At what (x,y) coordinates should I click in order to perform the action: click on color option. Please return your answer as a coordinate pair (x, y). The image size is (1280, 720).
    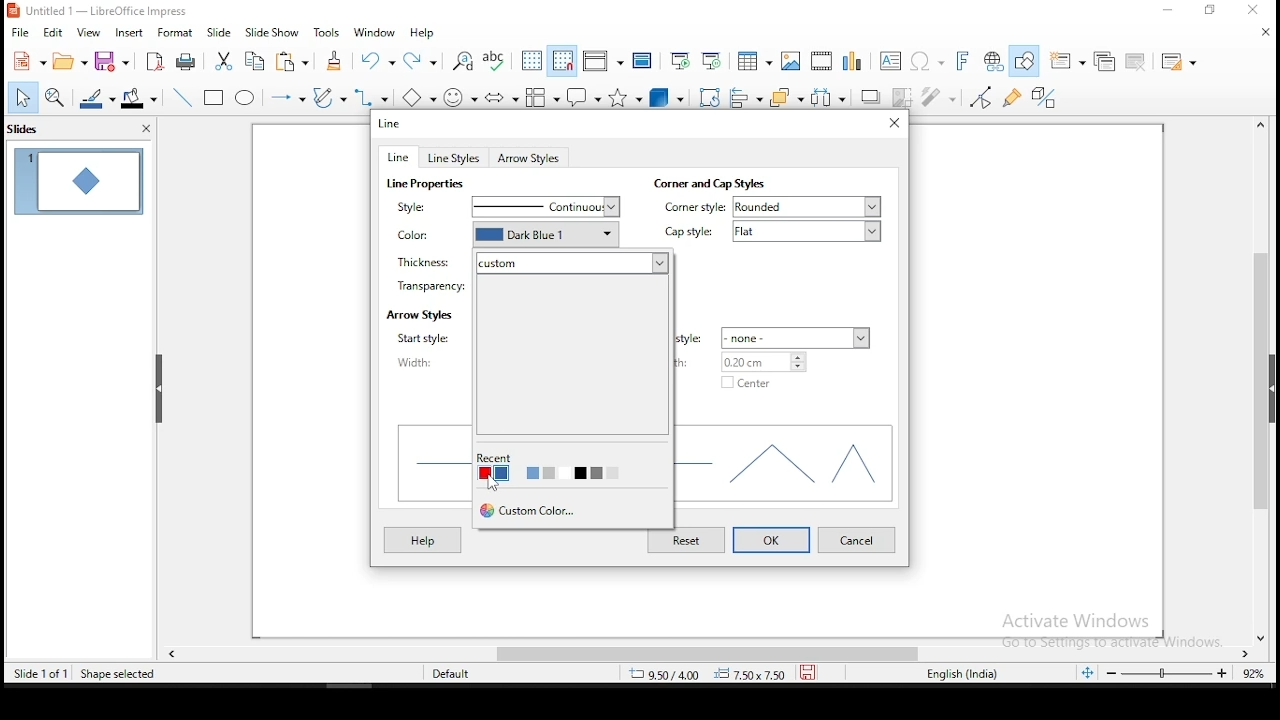
    Looking at the image, I should click on (487, 472).